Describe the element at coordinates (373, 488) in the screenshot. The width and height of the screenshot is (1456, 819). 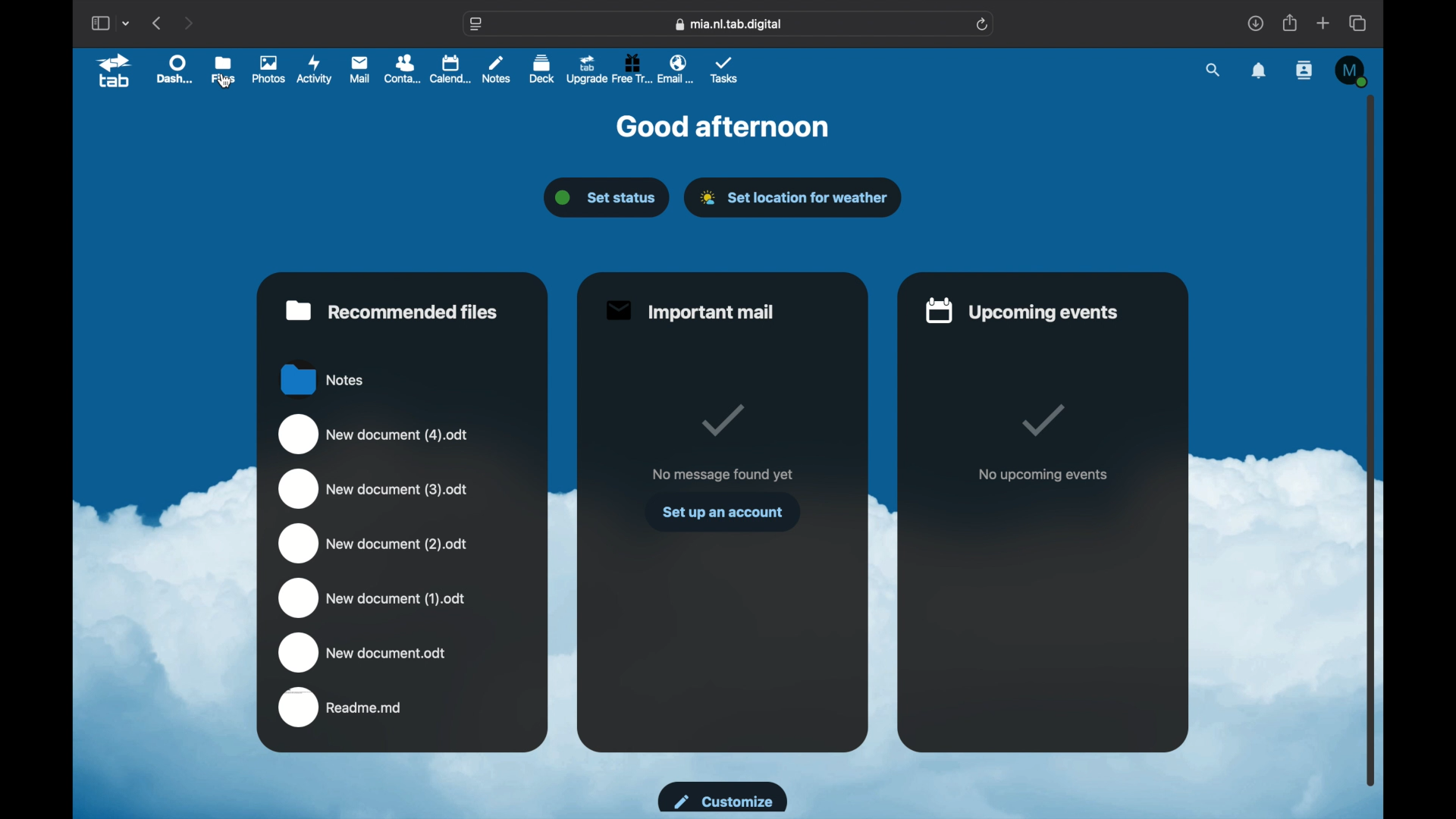
I see `new document` at that location.